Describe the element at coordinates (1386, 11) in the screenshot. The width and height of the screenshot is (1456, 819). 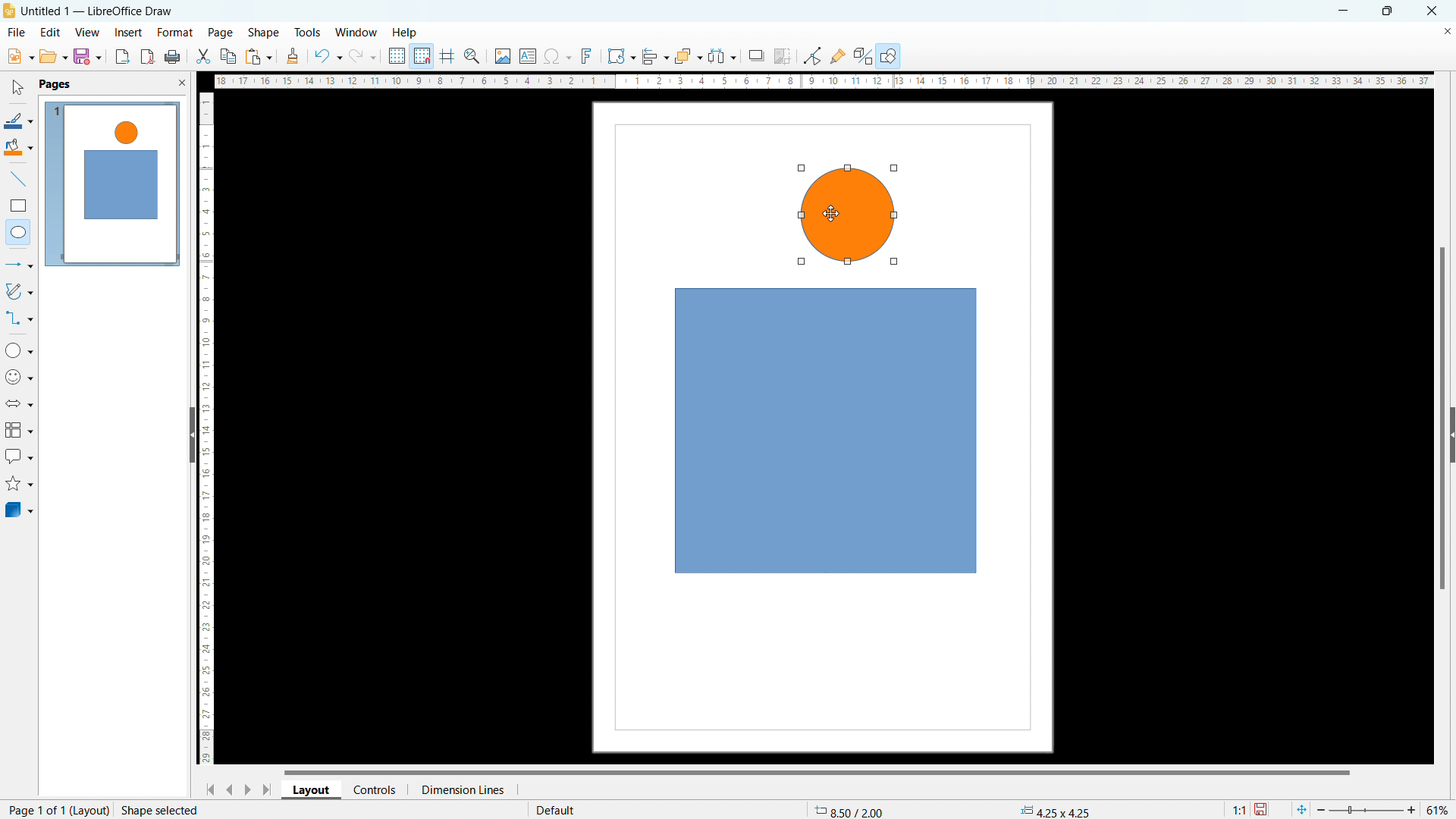
I see `maximize` at that location.